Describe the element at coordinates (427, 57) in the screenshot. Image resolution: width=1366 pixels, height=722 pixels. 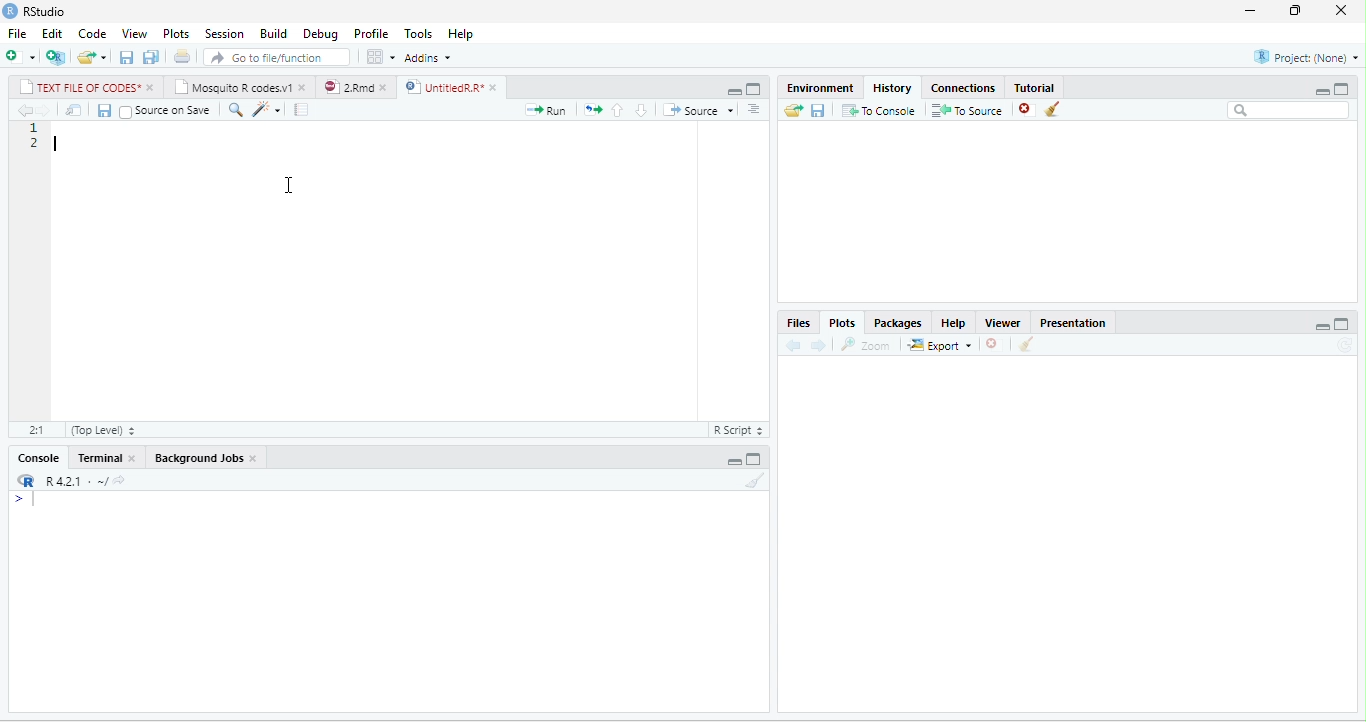
I see `Addins` at that location.